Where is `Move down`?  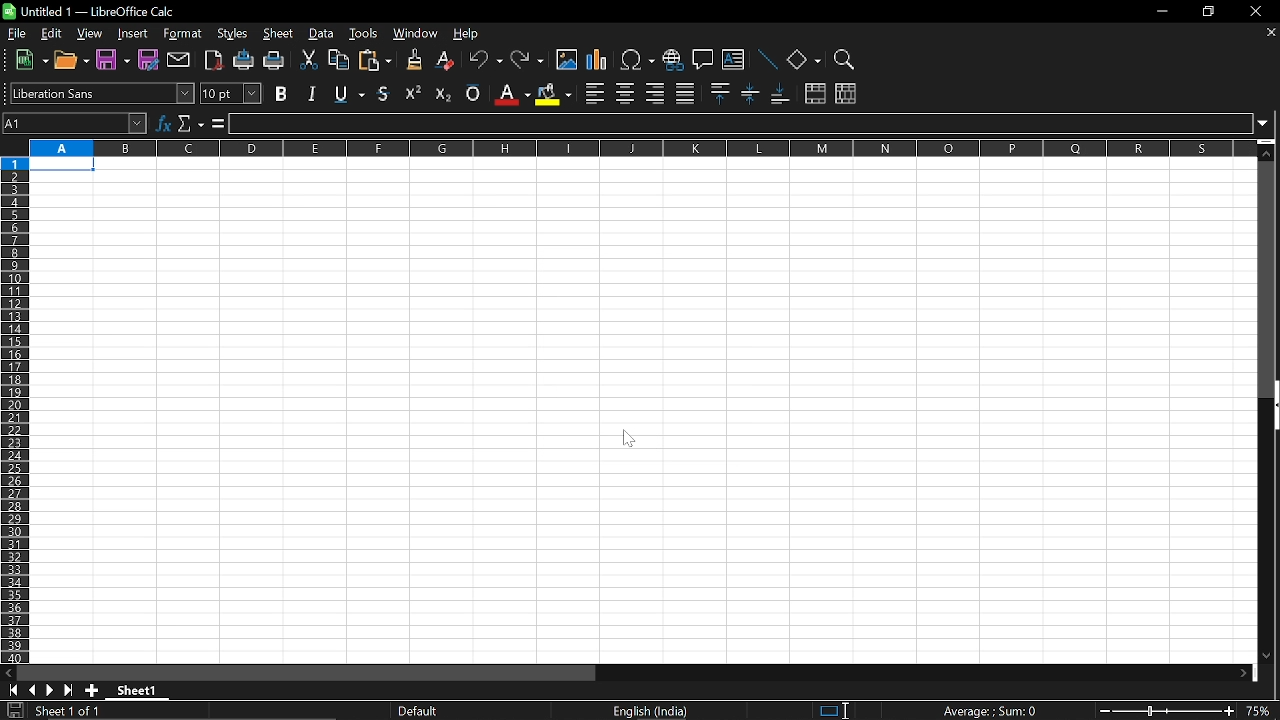
Move down is located at coordinates (1265, 654).